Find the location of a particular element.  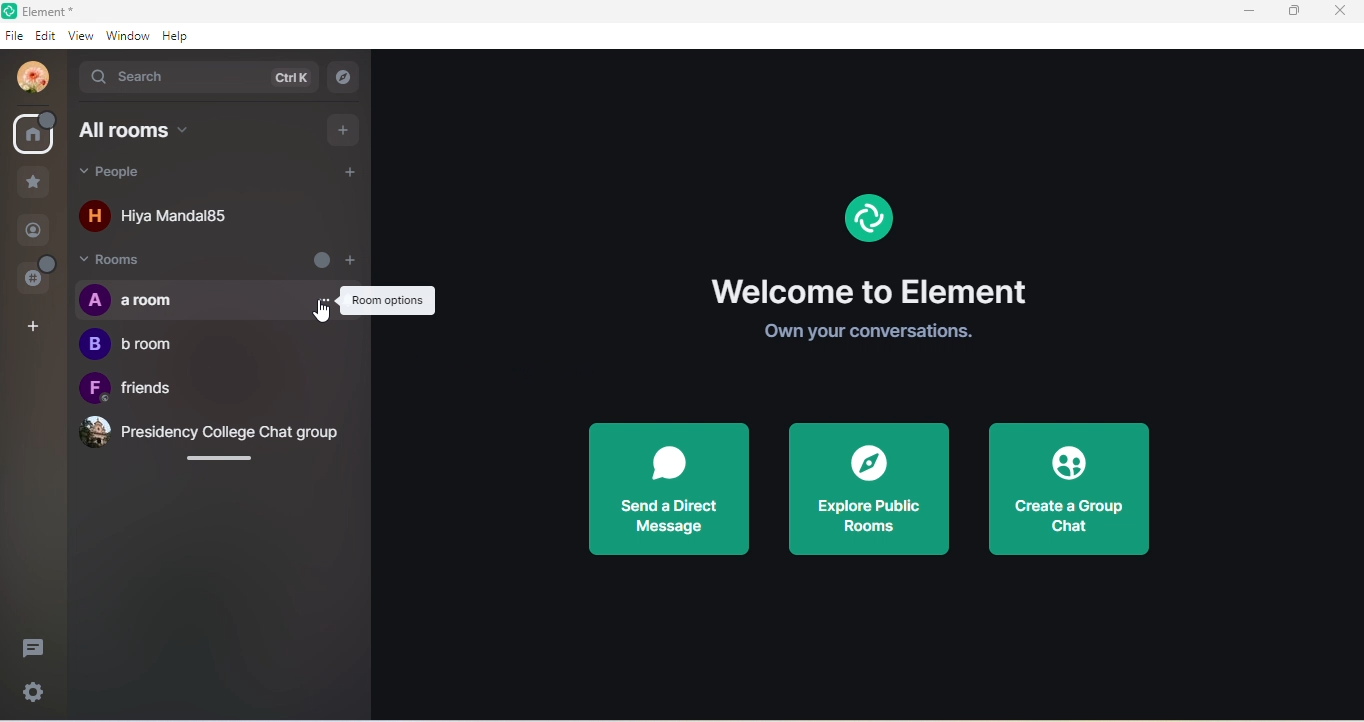

a room is located at coordinates (211, 299).